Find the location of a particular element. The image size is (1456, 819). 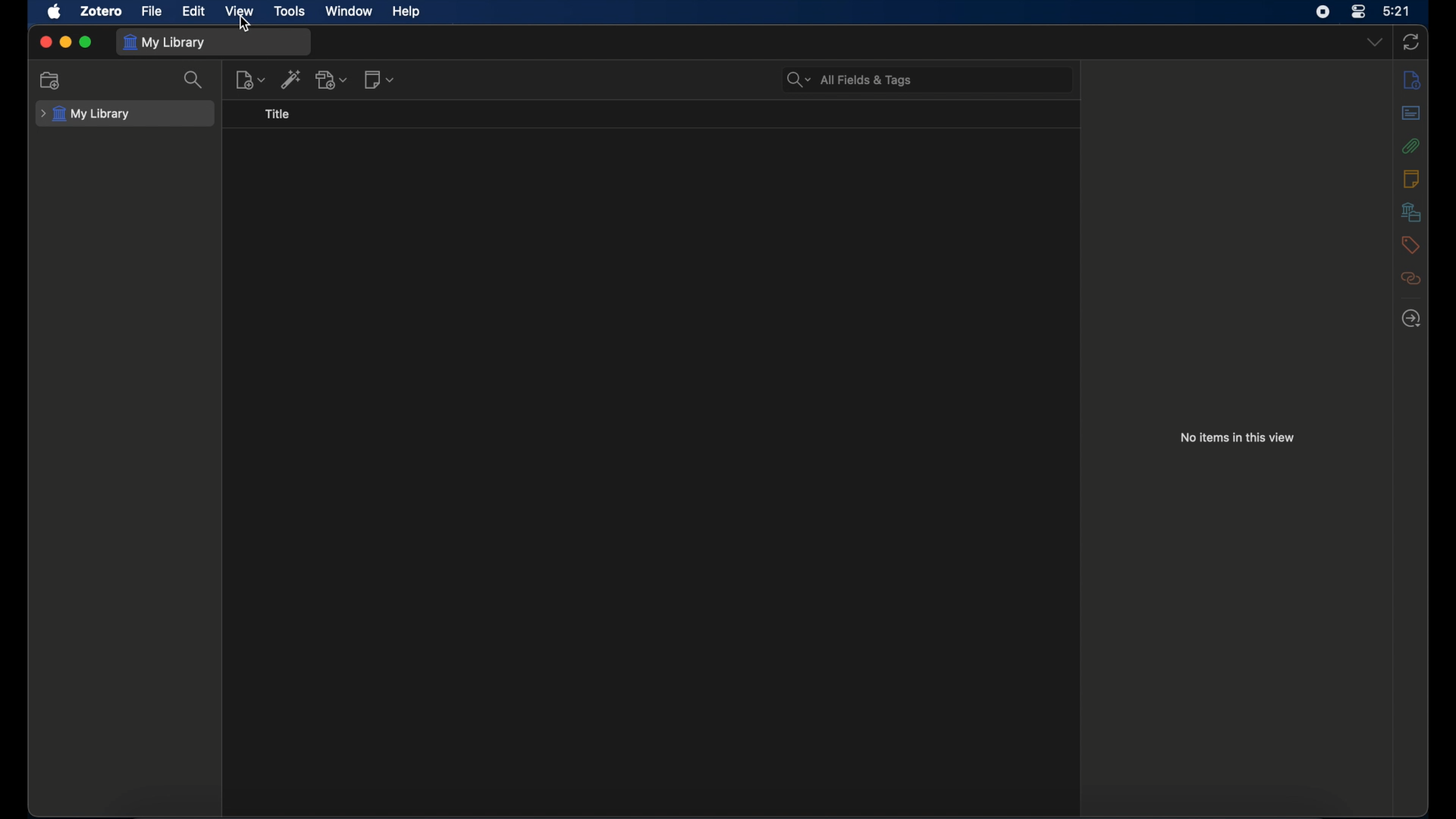

new item is located at coordinates (251, 80).